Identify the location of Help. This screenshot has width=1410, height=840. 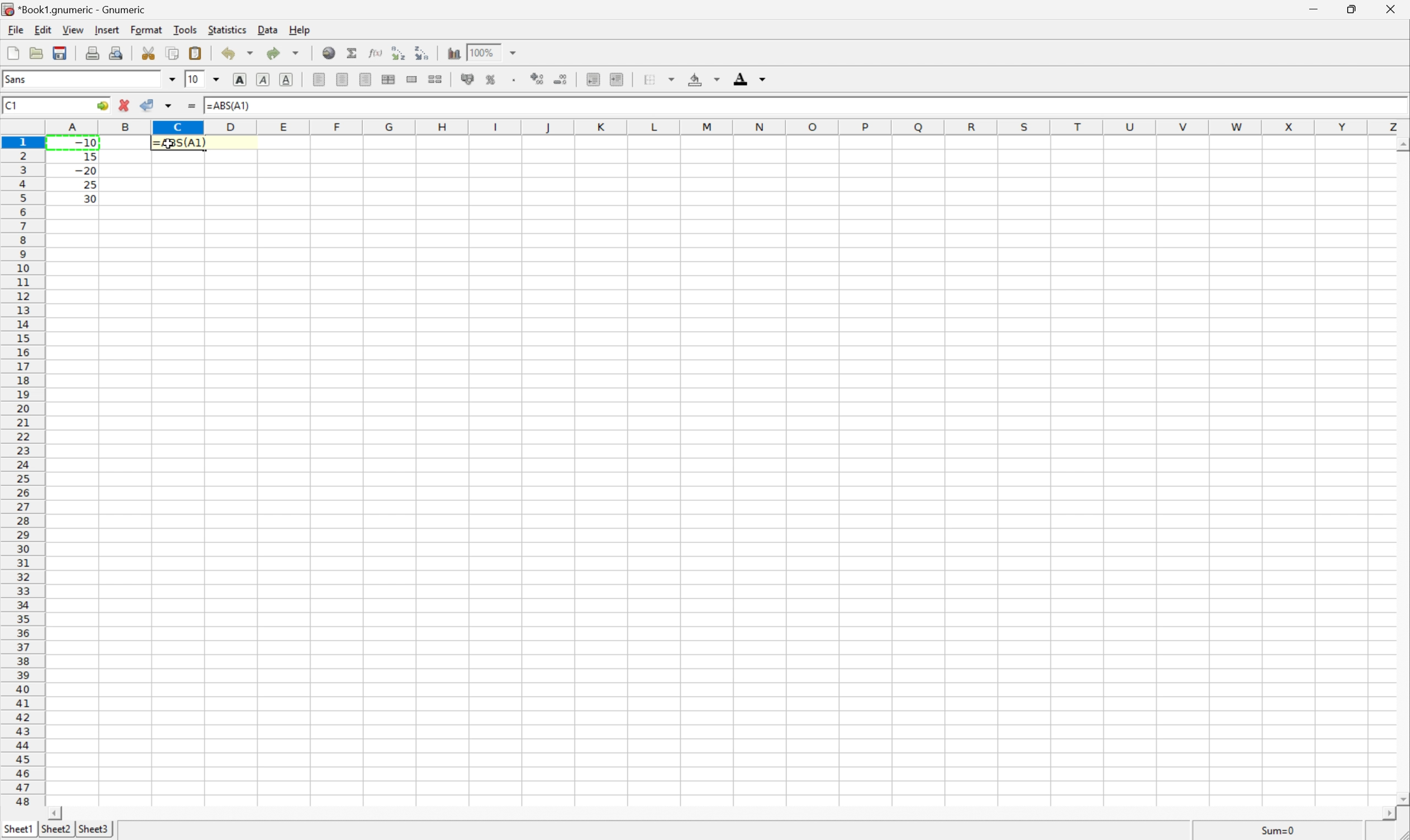
(300, 31).